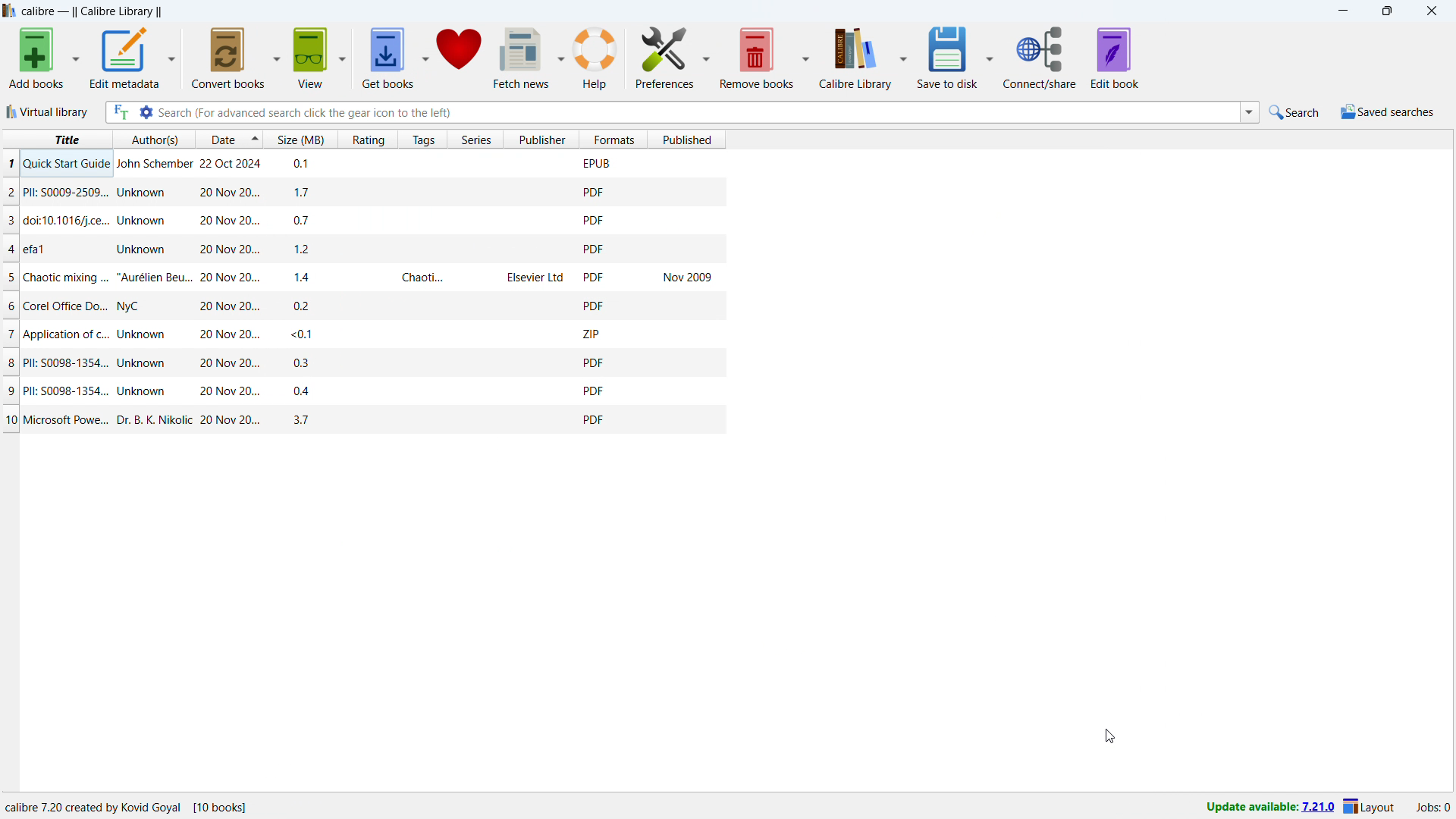 The width and height of the screenshot is (1456, 819). What do you see at coordinates (561, 57) in the screenshot?
I see `fetch news options` at bounding box center [561, 57].